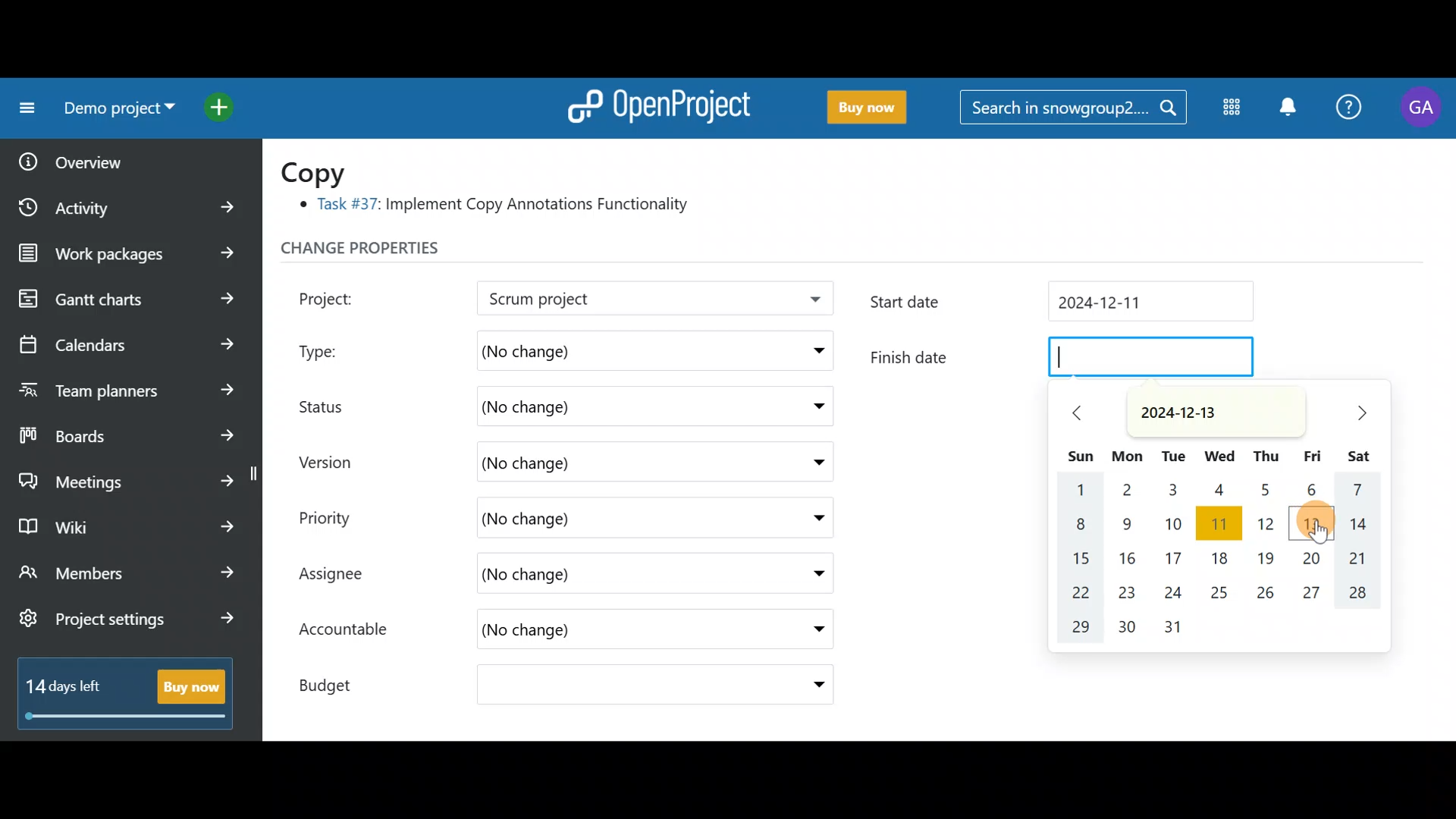 The image size is (1456, 819). I want to click on OpenProject, so click(656, 103).